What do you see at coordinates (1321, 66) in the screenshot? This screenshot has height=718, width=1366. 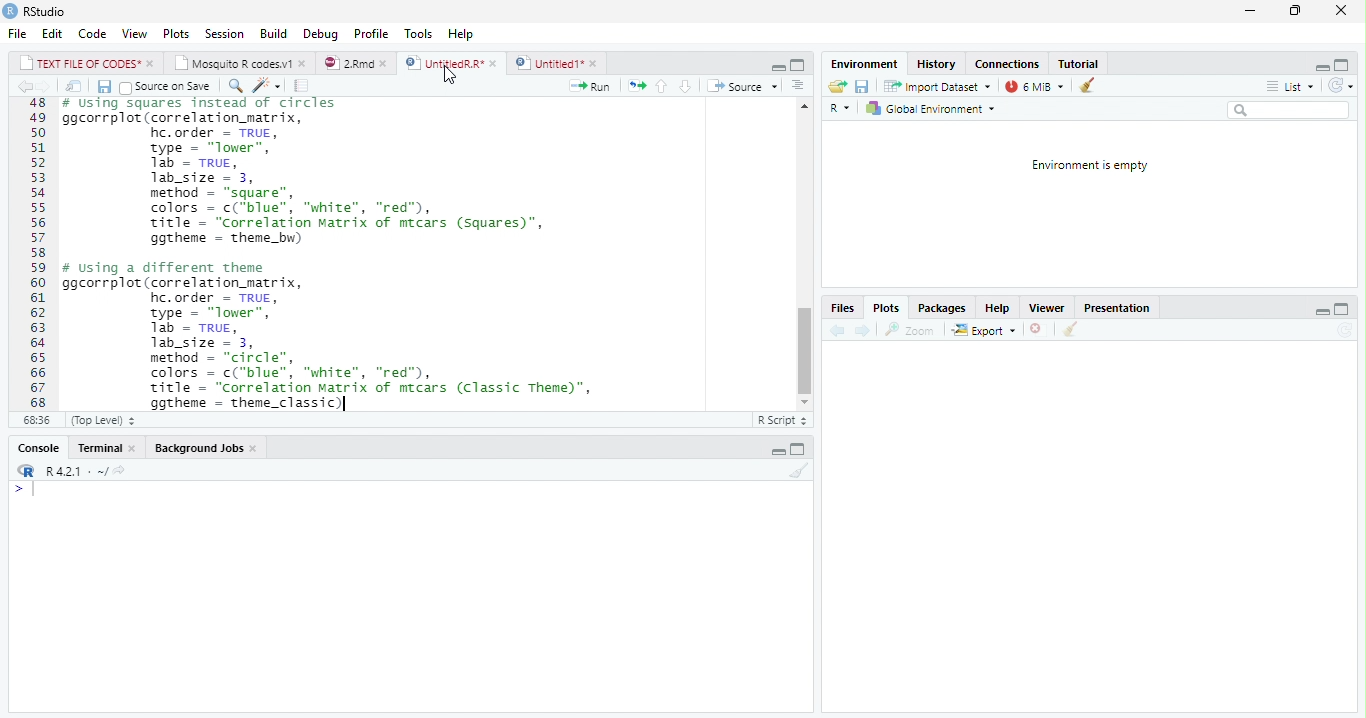 I see `hide r script` at bounding box center [1321, 66].